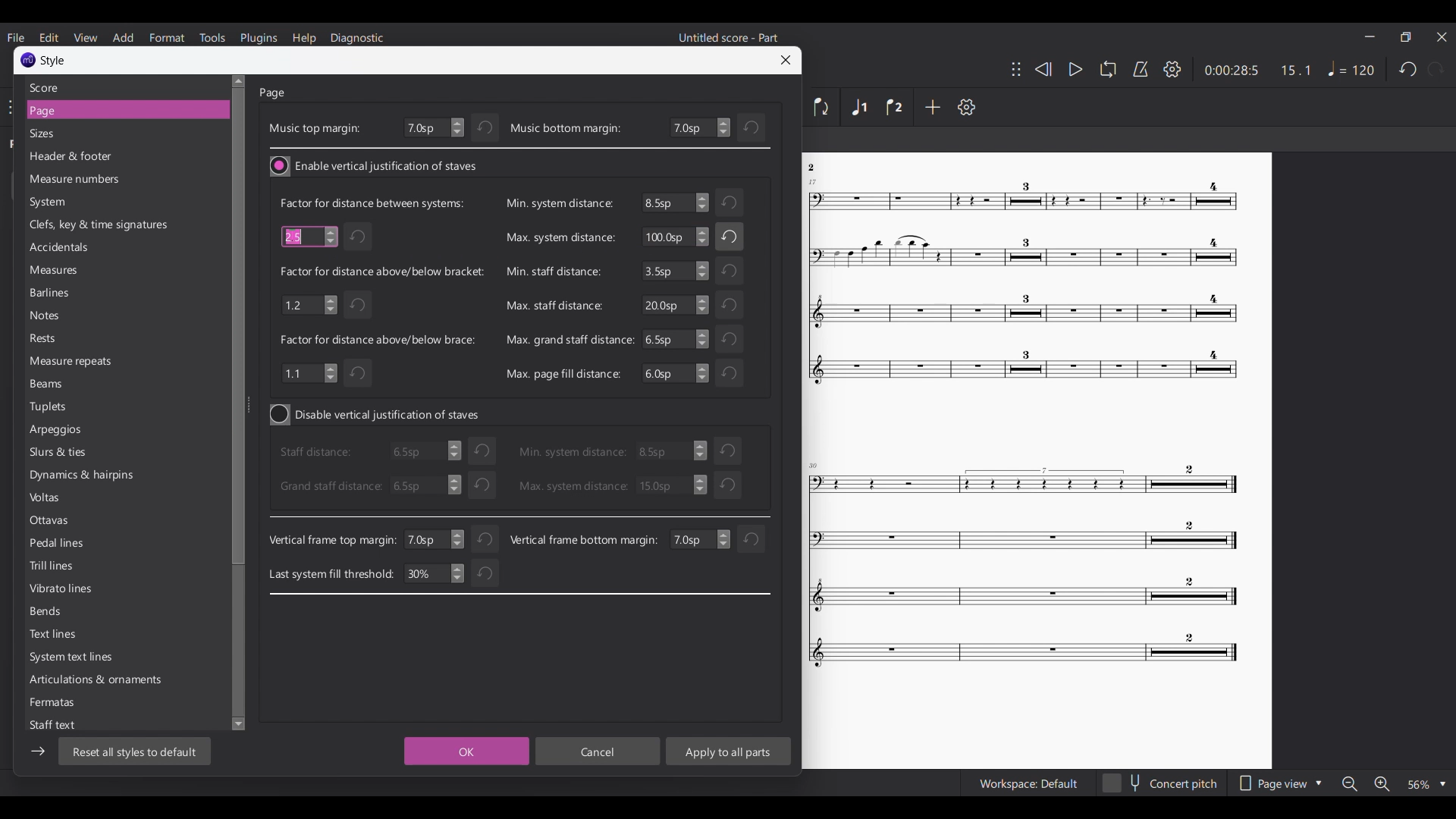 The height and width of the screenshot is (819, 1456). What do you see at coordinates (63, 726) in the screenshot?
I see `Staff text` at bounding box center [63, 726].